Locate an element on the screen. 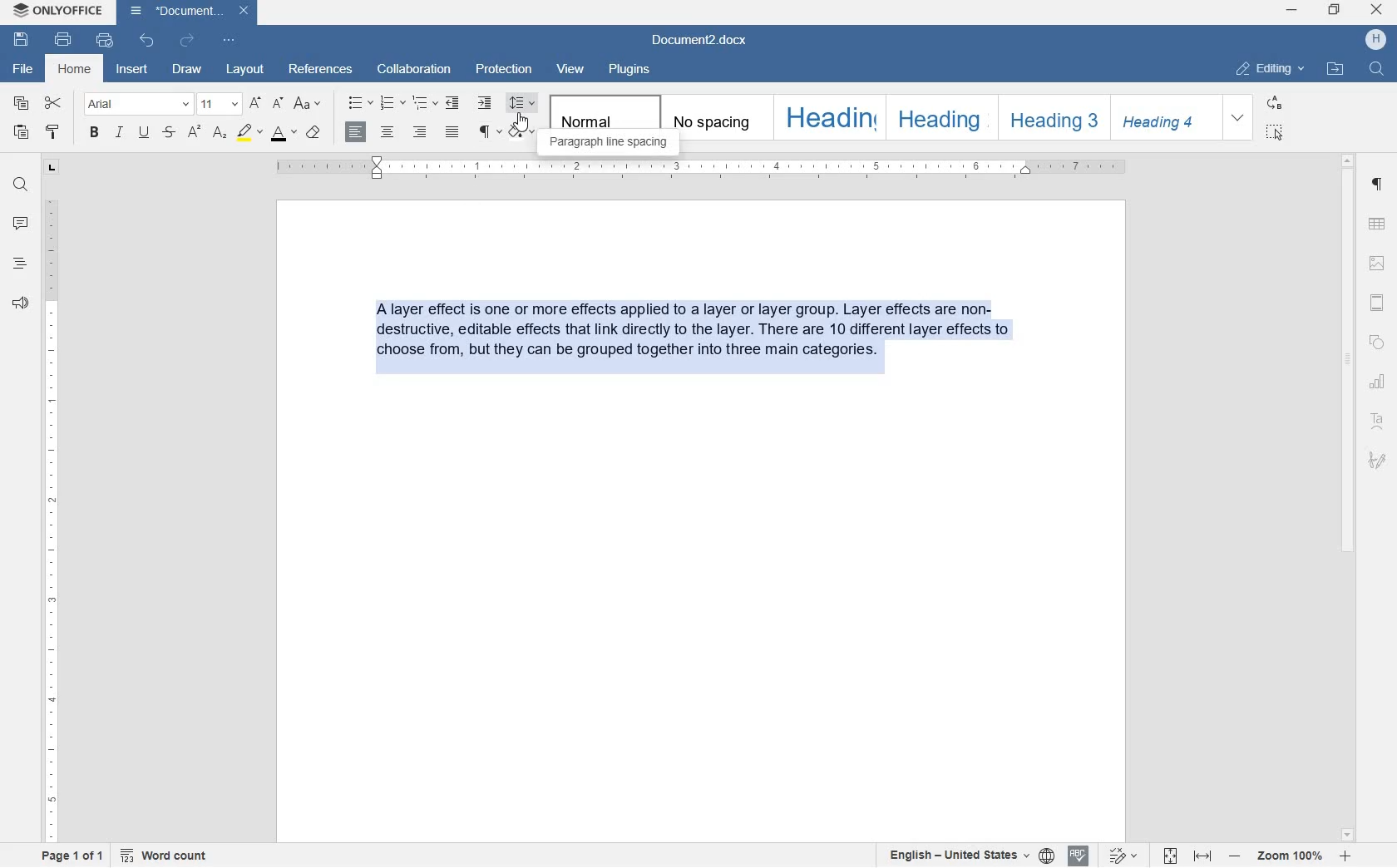  save is located at coordinates (22, 41).